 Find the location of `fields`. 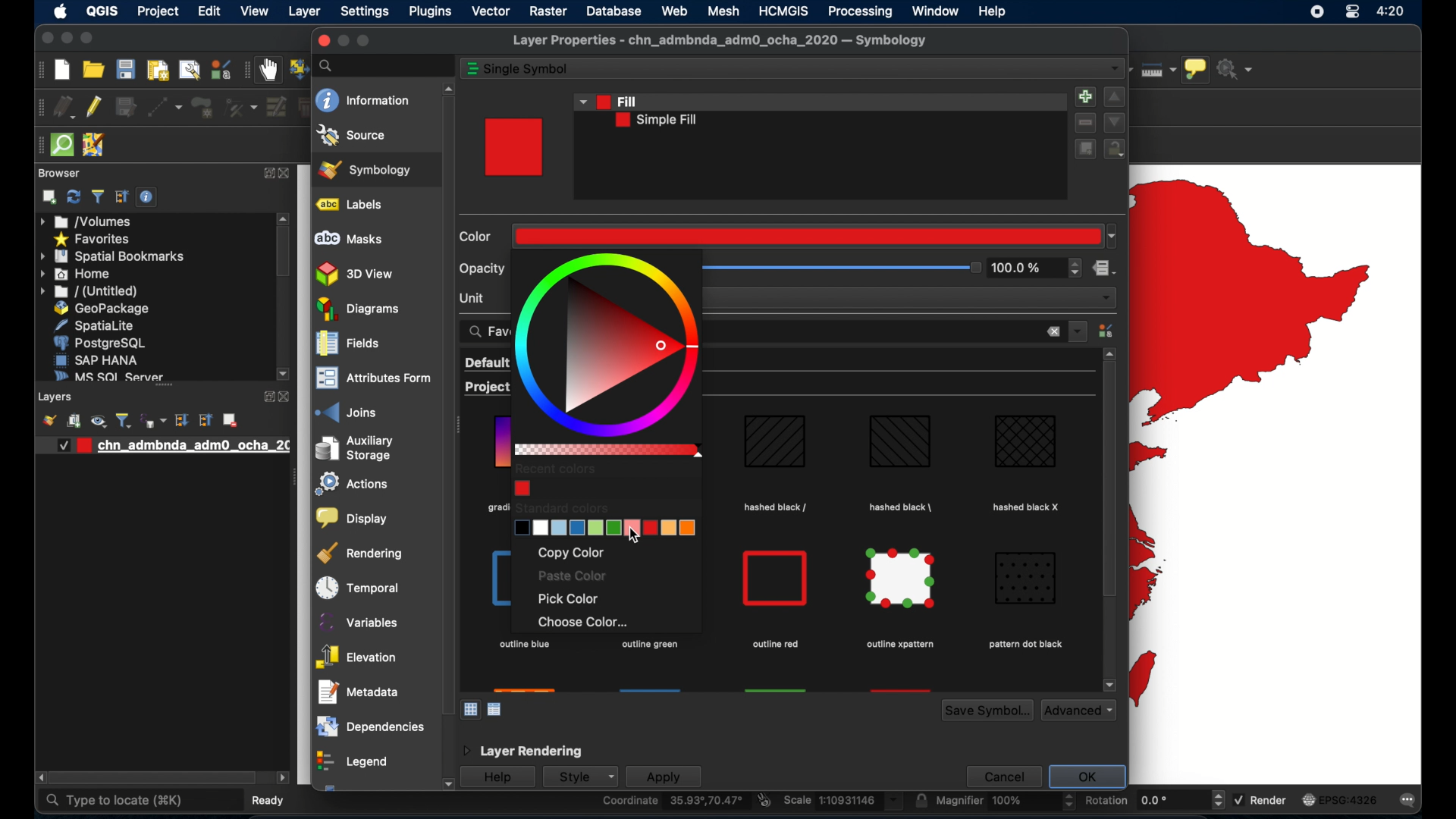

fields is located at coordinates (348, 345).